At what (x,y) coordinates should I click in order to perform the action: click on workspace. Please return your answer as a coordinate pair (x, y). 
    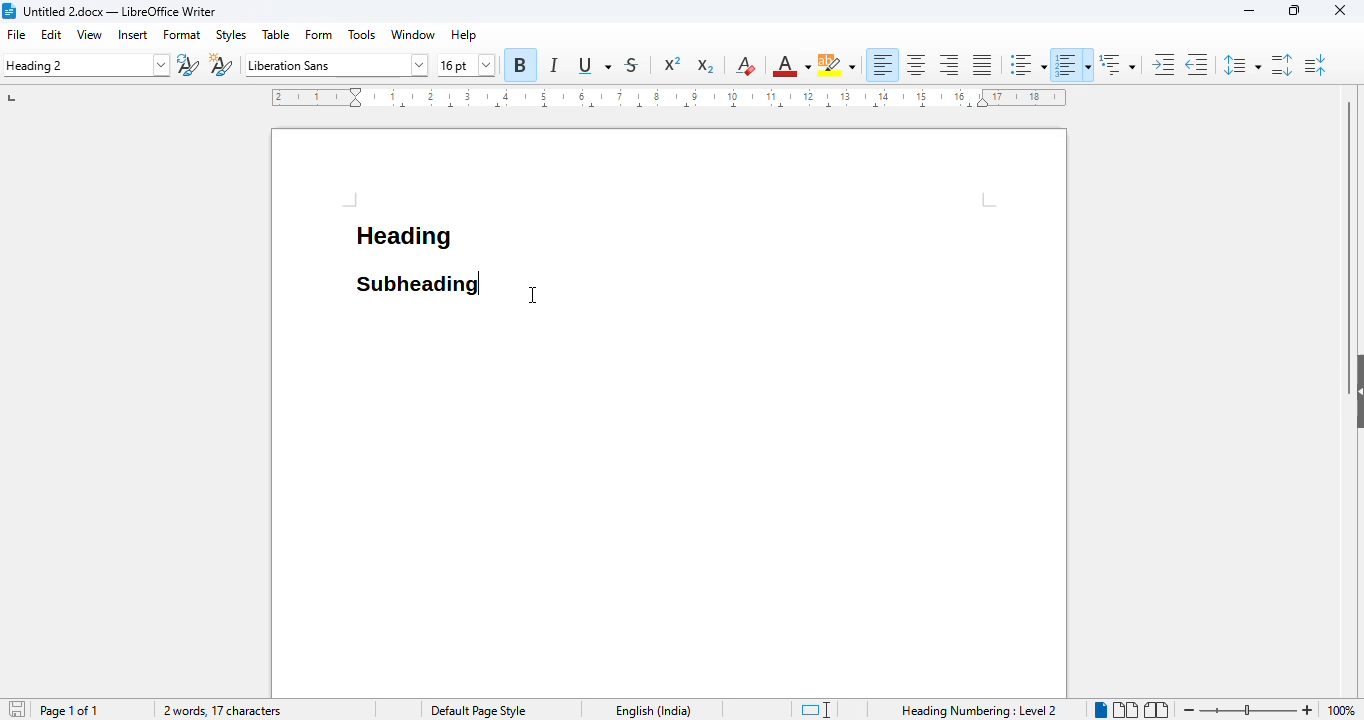
    Looking at the image, I should click on (670, 410).